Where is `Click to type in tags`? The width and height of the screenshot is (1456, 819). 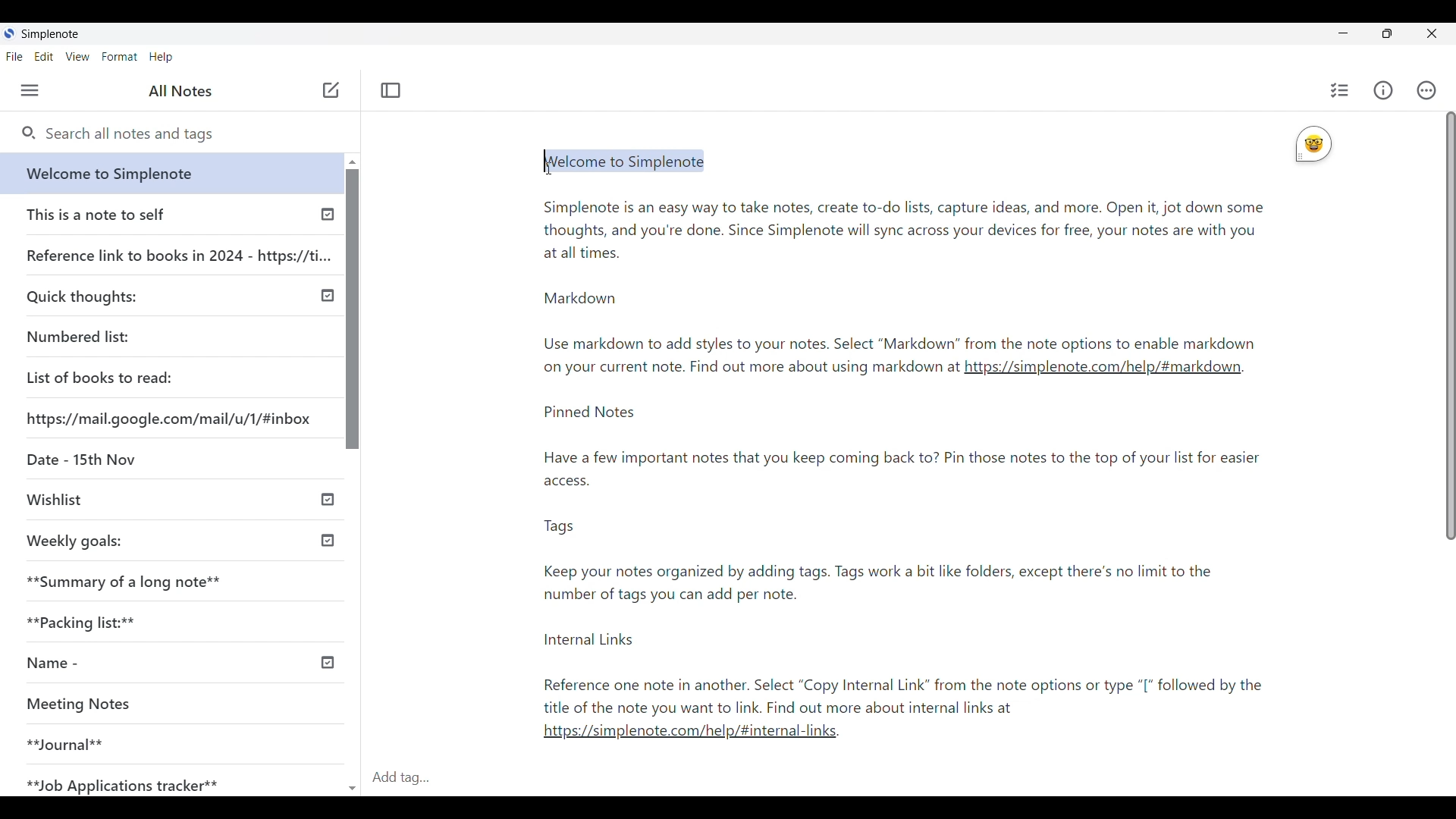 Click to type in tags is located at coordinates (908, 778).